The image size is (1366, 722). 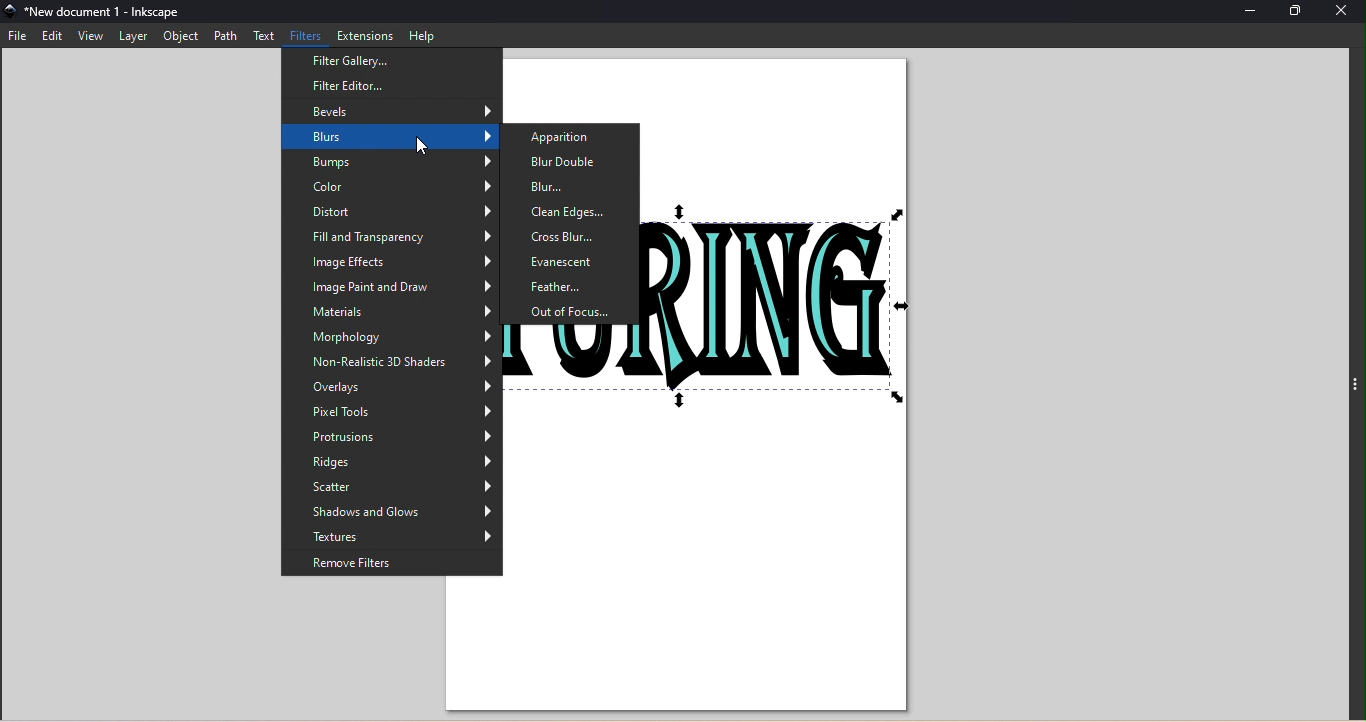 I want to click on Bevels, so click(x=394, y=110).